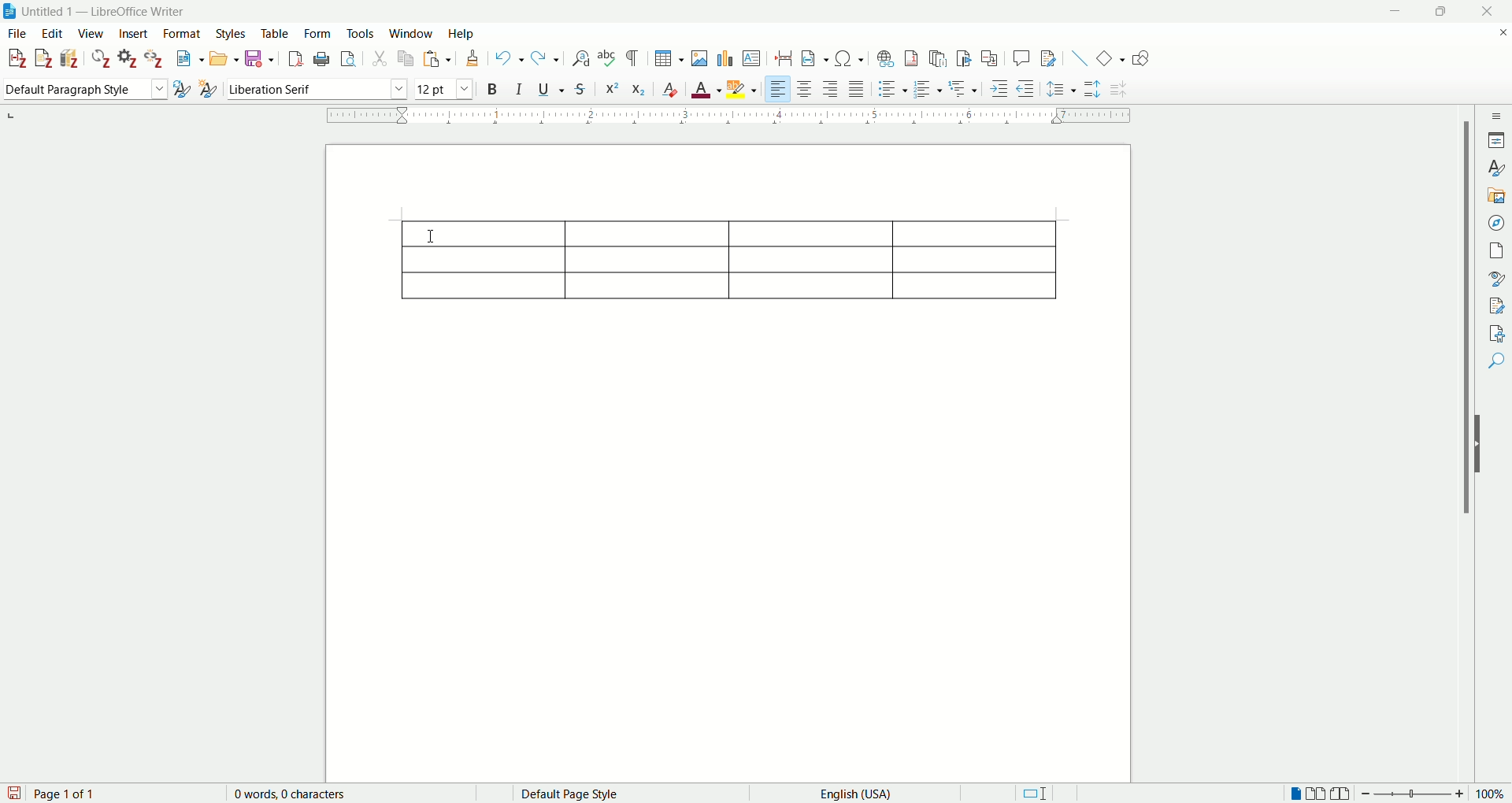  Describe the element at coordinates (831, 90) in the screenshot. I see `align right` at that location.